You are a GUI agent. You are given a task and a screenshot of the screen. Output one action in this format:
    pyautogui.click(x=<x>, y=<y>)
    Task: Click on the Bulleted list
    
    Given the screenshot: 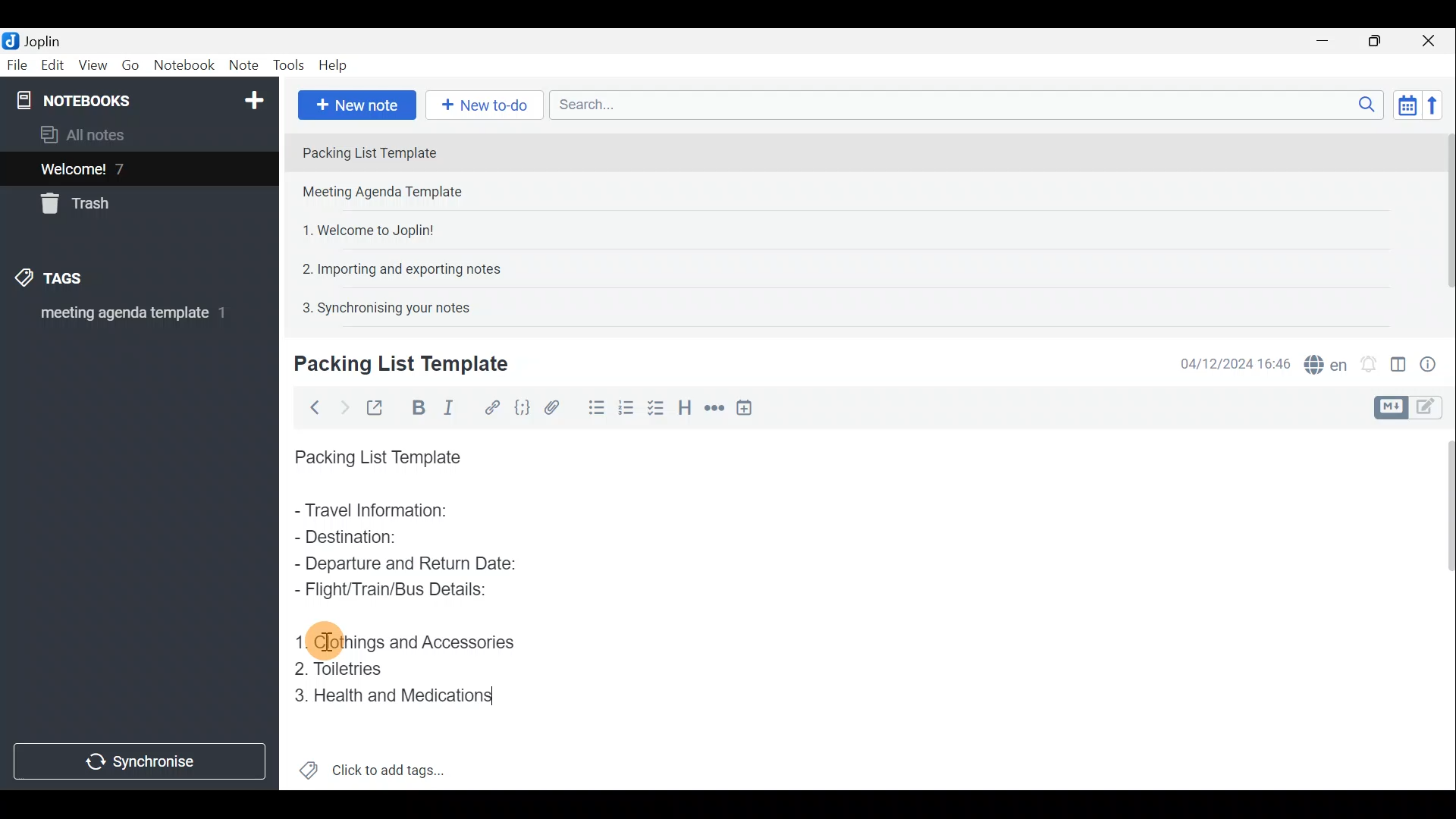 What is the action you would take?
    pyautogui.click(x=591, y=410)
    